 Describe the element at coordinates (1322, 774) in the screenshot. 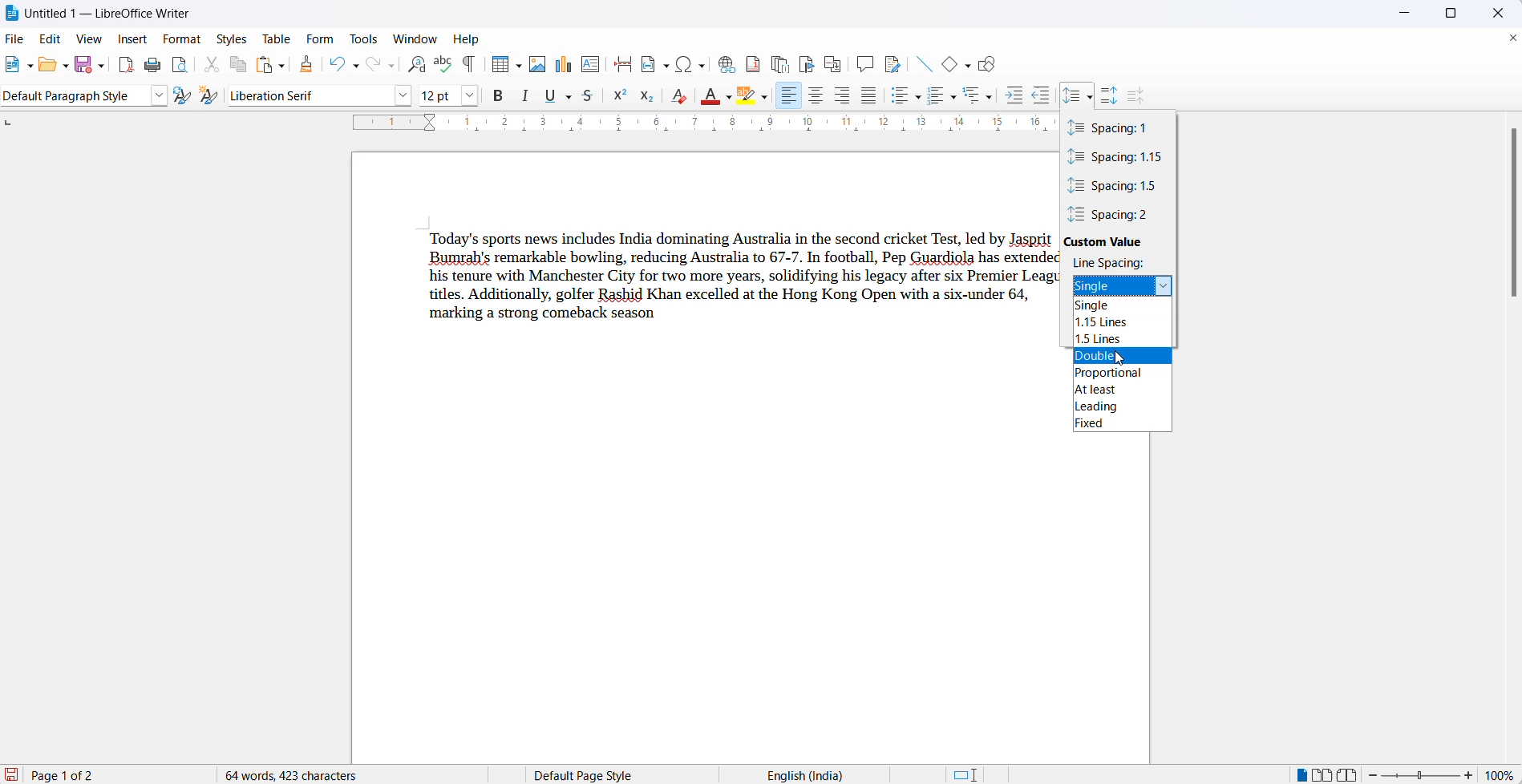

I see `multi page view` at that location.